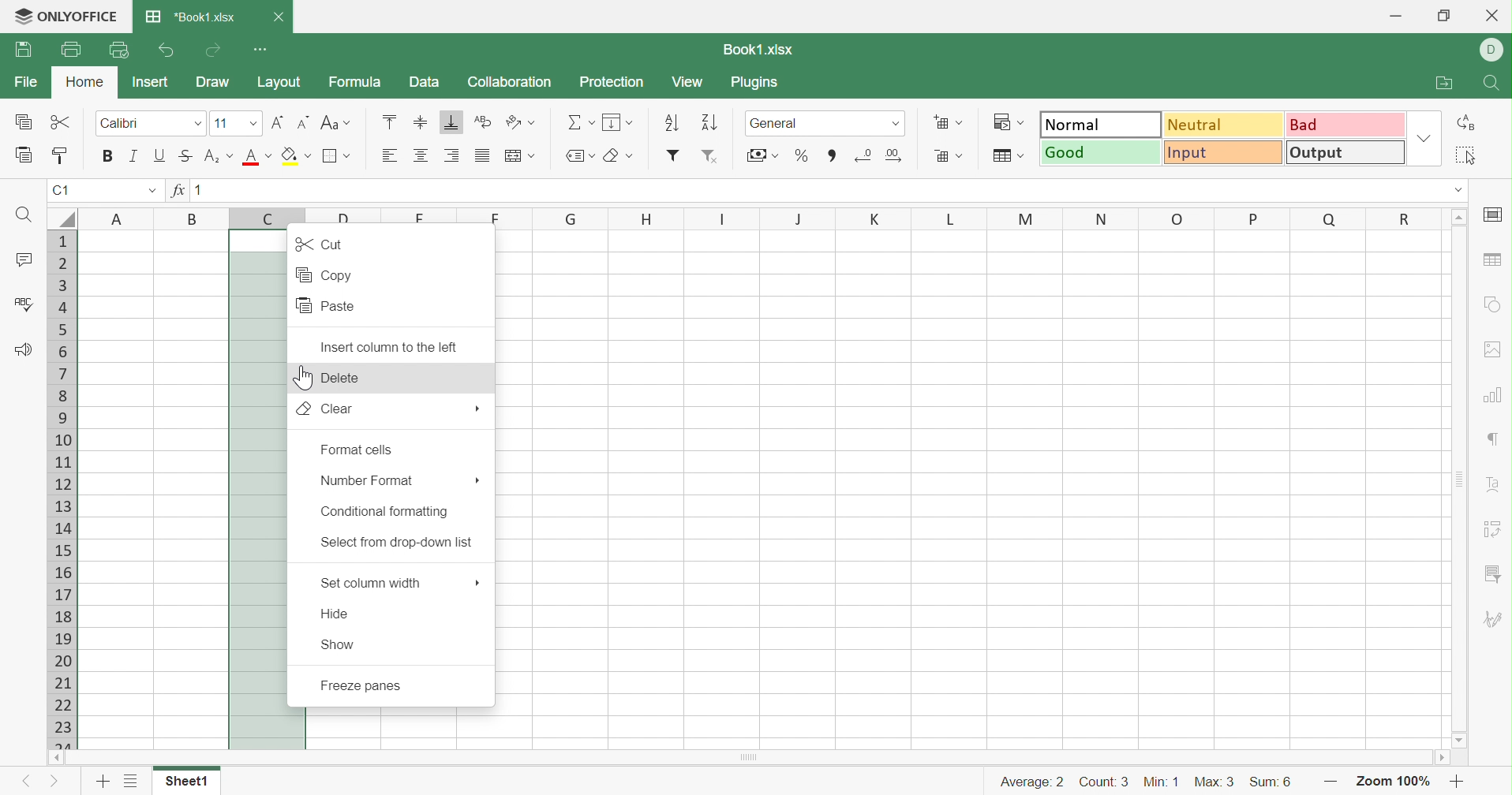  What do you see at coordinates (24, 260) in the screenshot?
I see `Comments` at bounding box center [24, 260].